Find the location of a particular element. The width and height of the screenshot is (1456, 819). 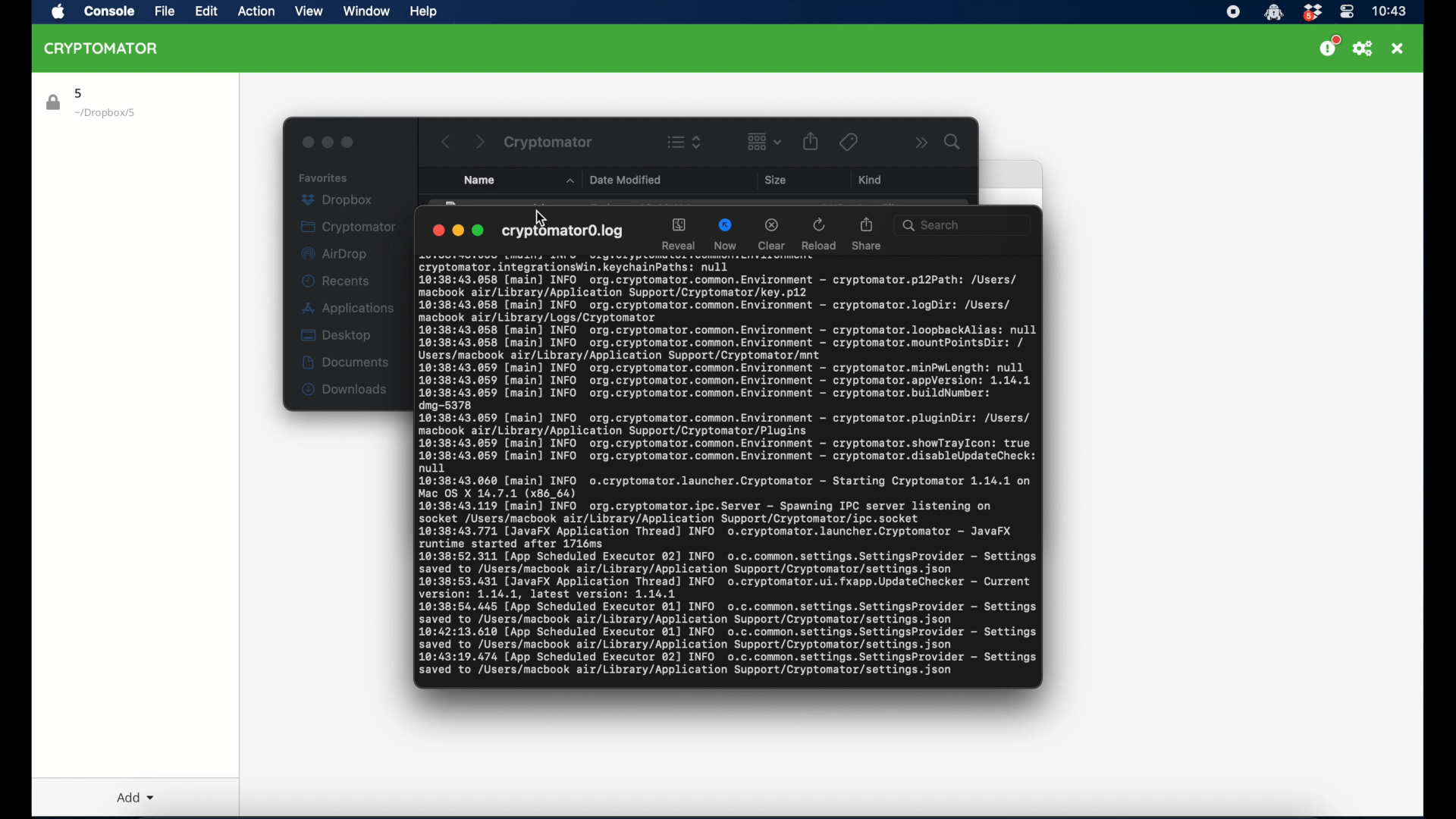

reload is located at coordinates (819, 224).